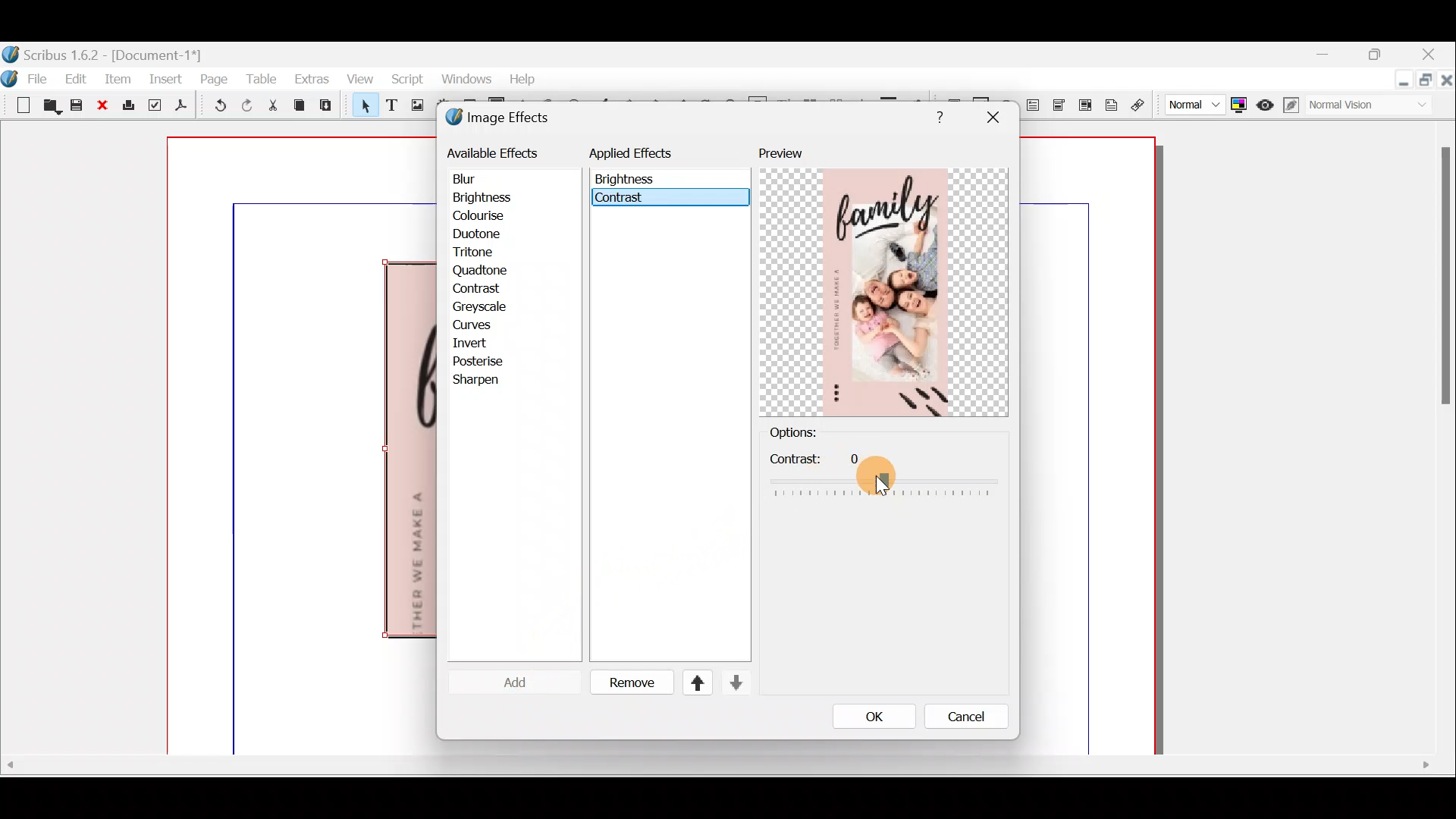 This screenshot has width=1456, height=819. Describe the element at coordinates (485, 306) in the screenshot. I see `Greyscale` at that location.